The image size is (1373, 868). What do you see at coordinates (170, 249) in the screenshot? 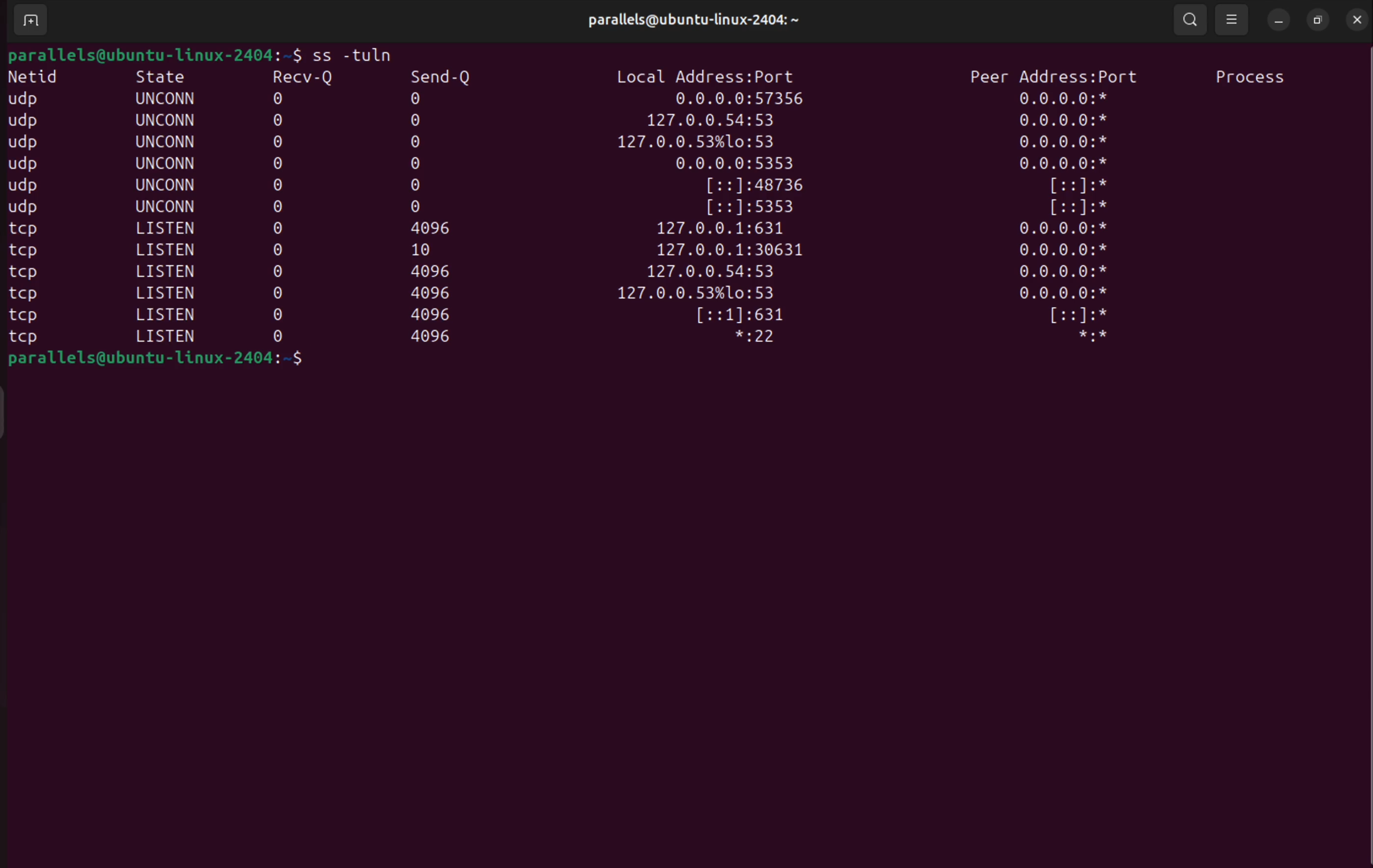
I see `listen` at bounding box center [170, 249].